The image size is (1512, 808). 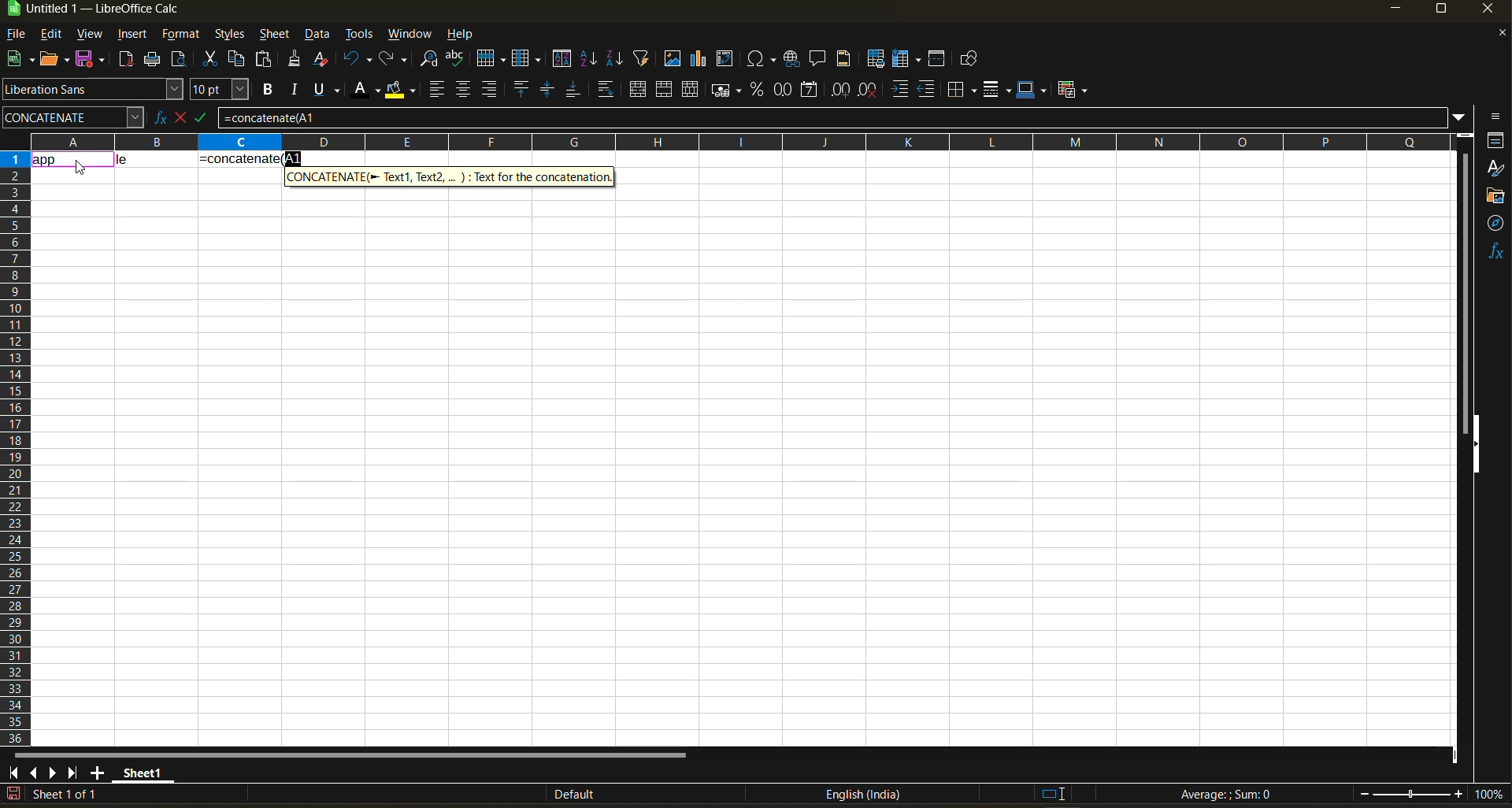 I want to click on hide, so click(x=1475, y=445).